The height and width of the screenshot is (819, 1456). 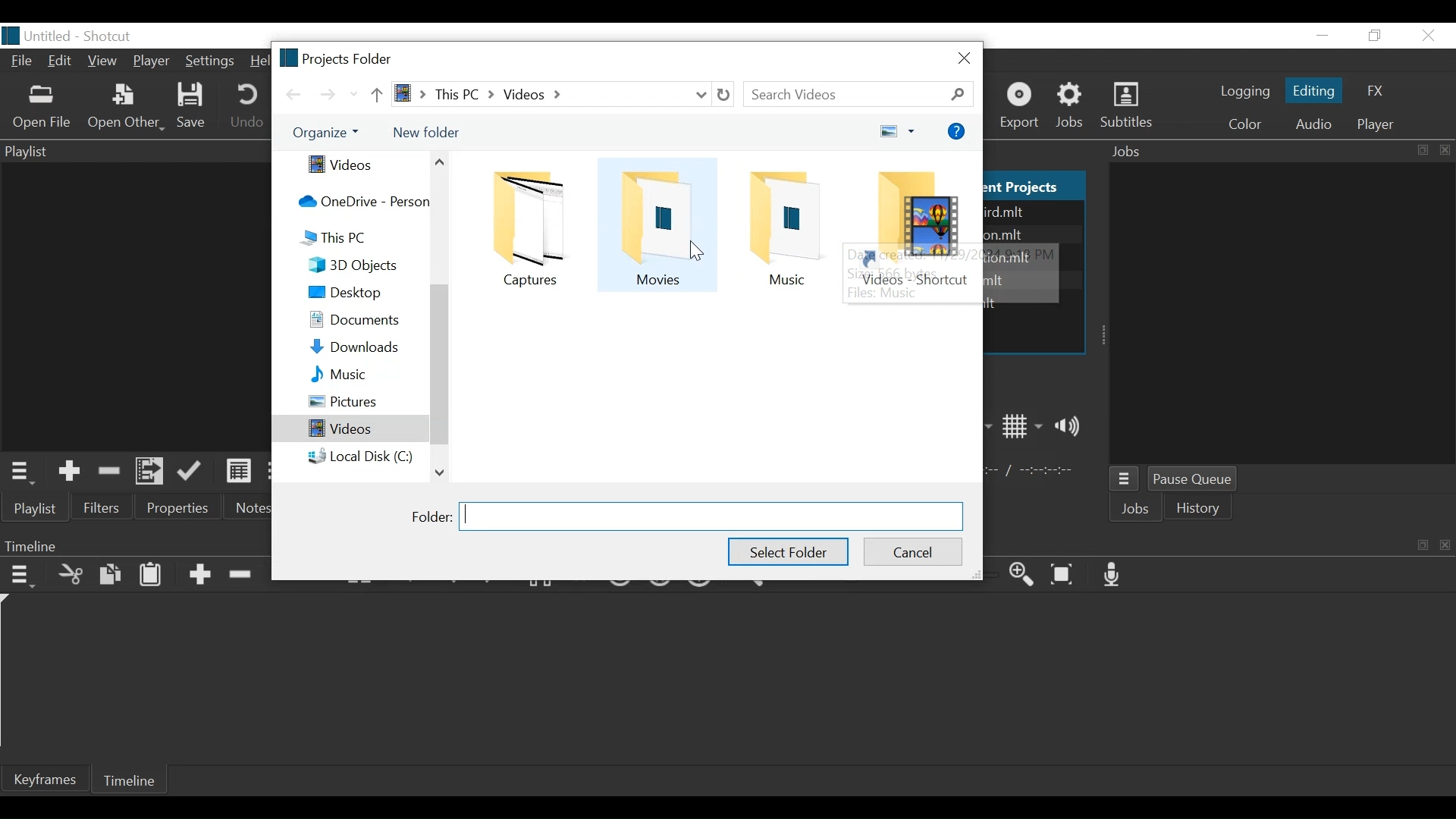 What do you see at coordinates (1022, 426) in the screenshot?
I see `Toggle display grid on player` at bounding box center [1022, 426].